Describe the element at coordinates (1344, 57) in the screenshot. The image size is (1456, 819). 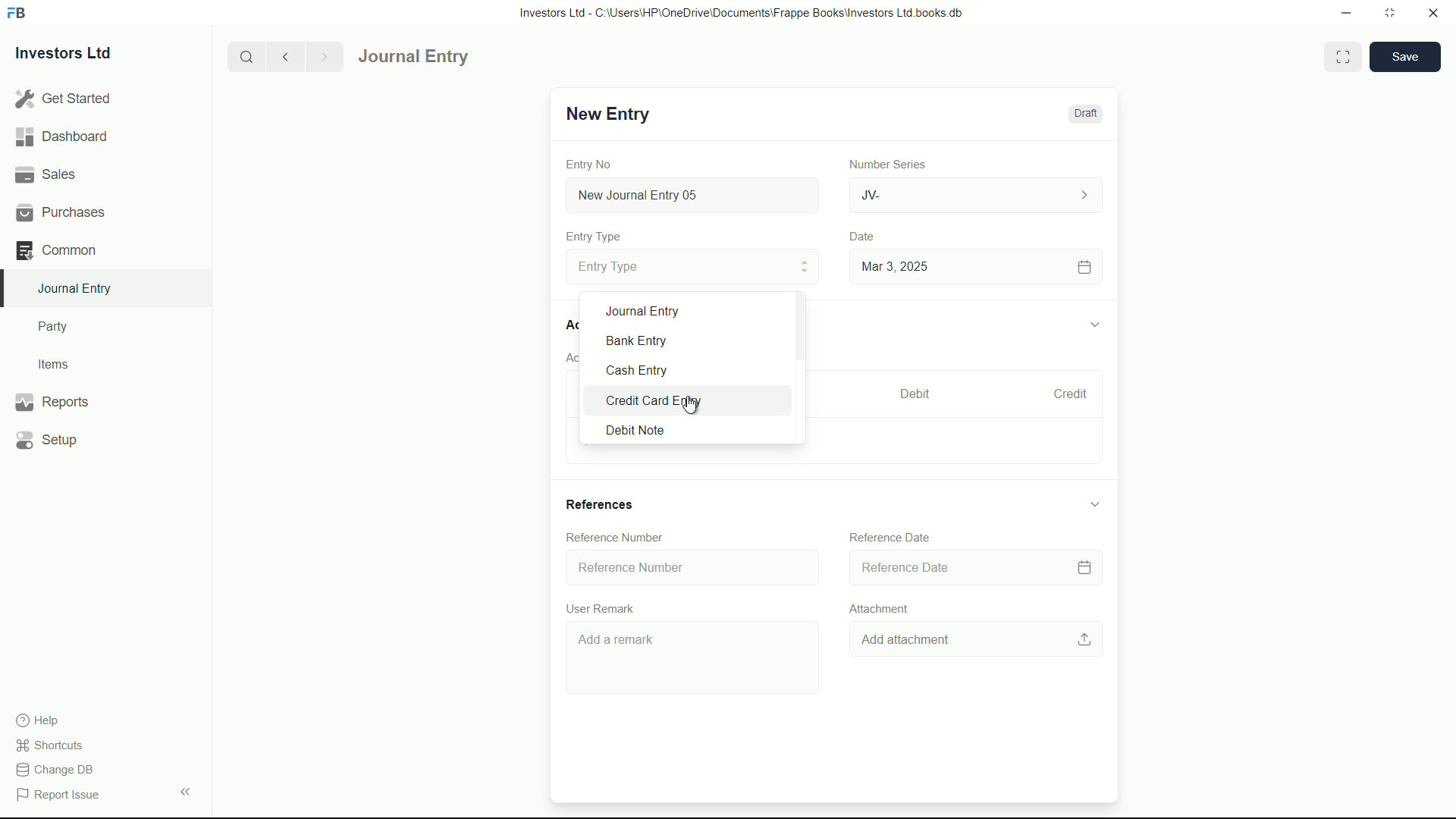
I see `Toggle between form and full width` at that location.